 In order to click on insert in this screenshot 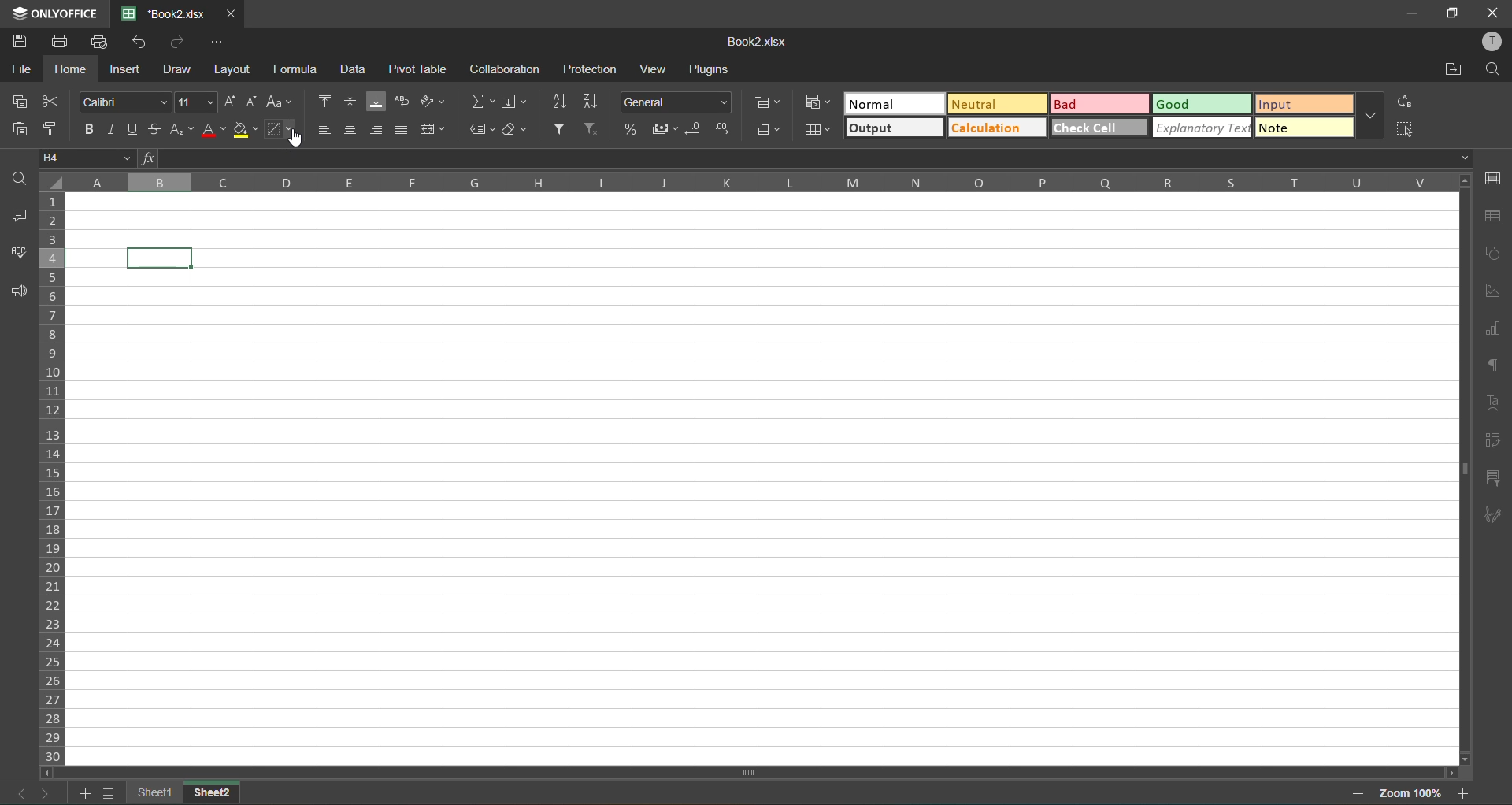, I will do `click(127, 70)`.